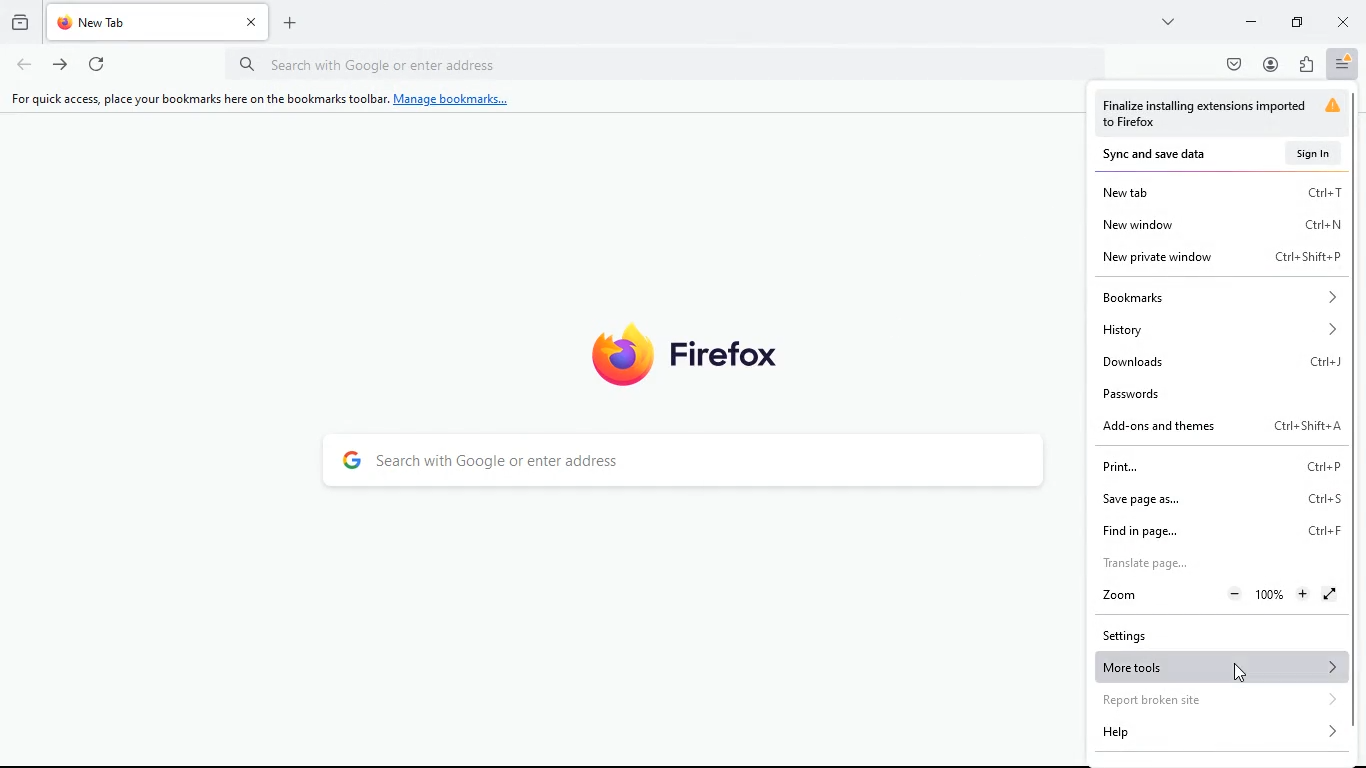  What do you see at coordinates (1223, 533) in the screenshot?
I see `find in page` at bounding box center [1223, 533].